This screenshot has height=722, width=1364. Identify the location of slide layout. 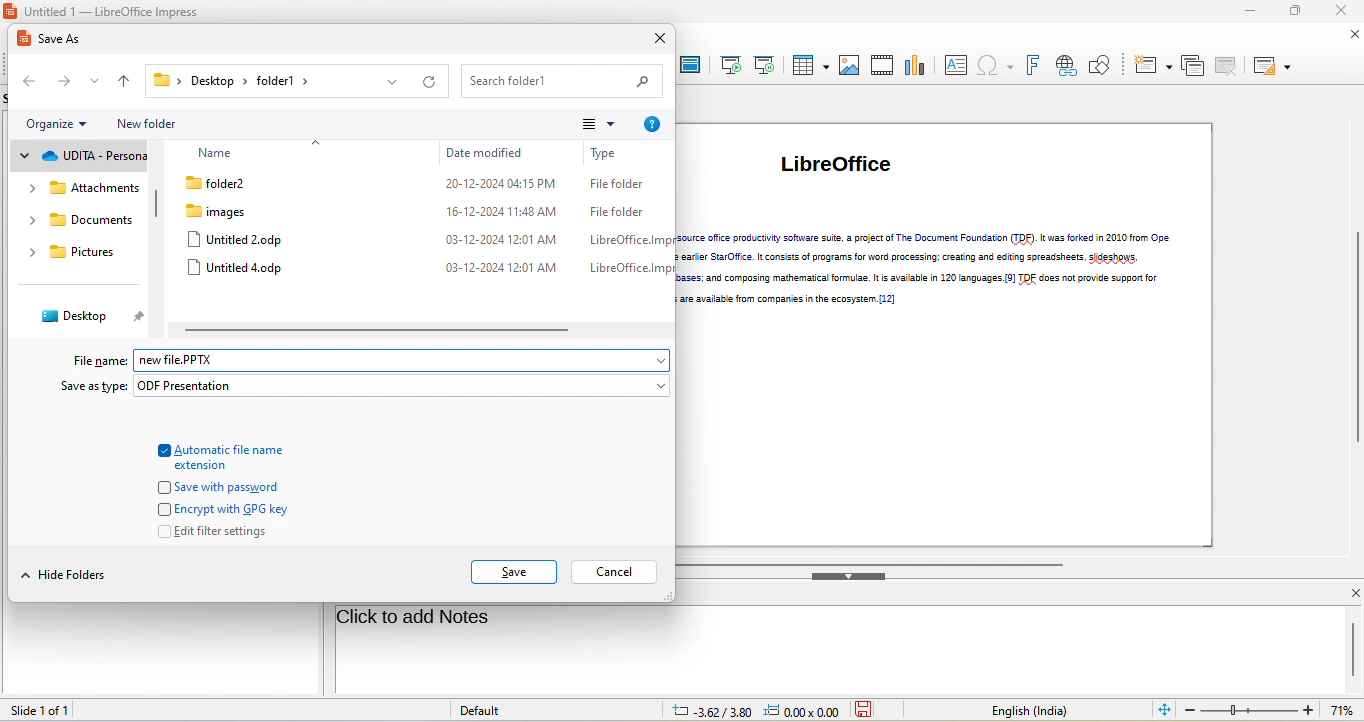
(1275, 66).